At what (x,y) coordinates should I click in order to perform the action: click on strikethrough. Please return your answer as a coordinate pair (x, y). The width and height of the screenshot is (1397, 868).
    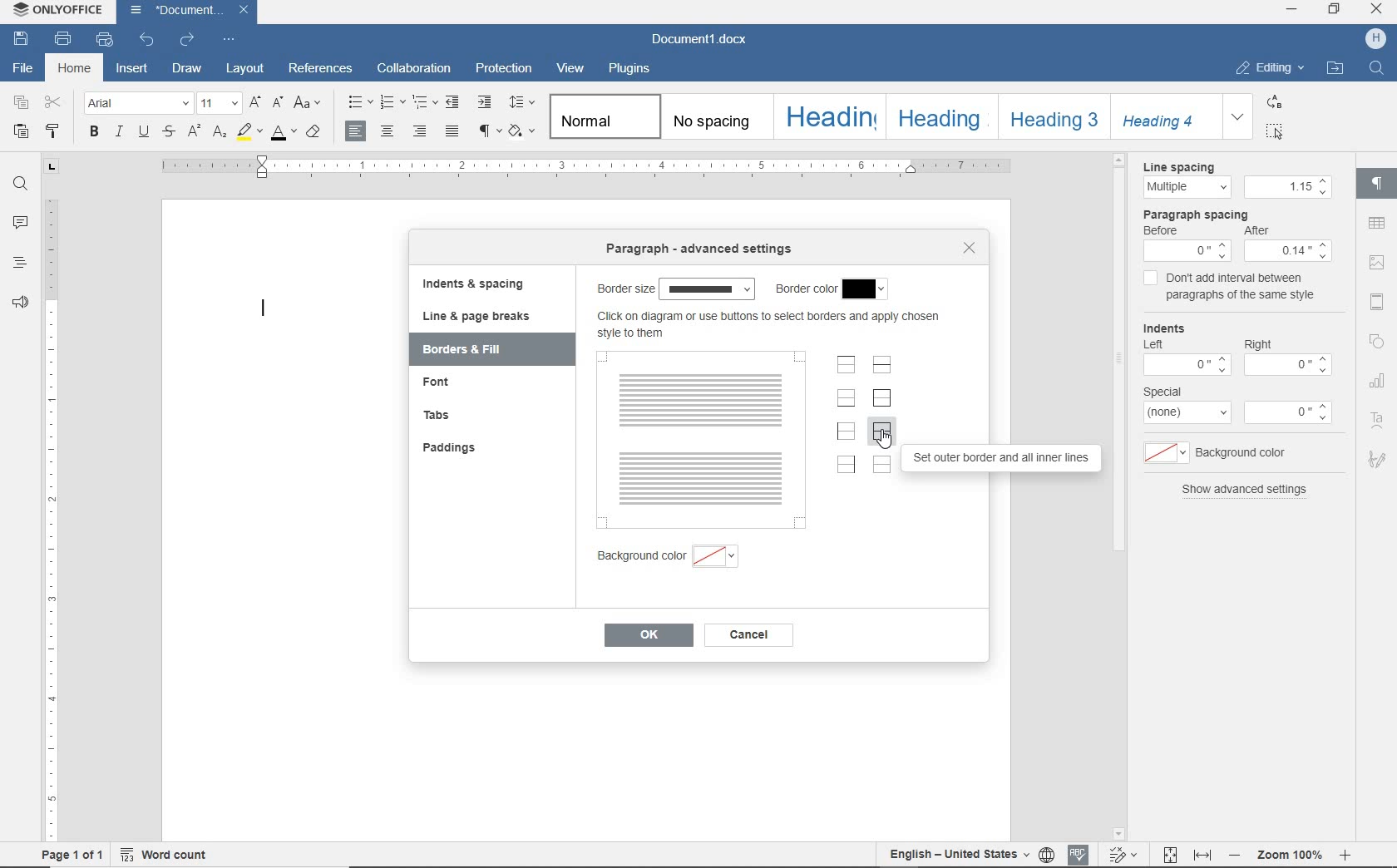
    Looking at the image, I should click on (168, 133).